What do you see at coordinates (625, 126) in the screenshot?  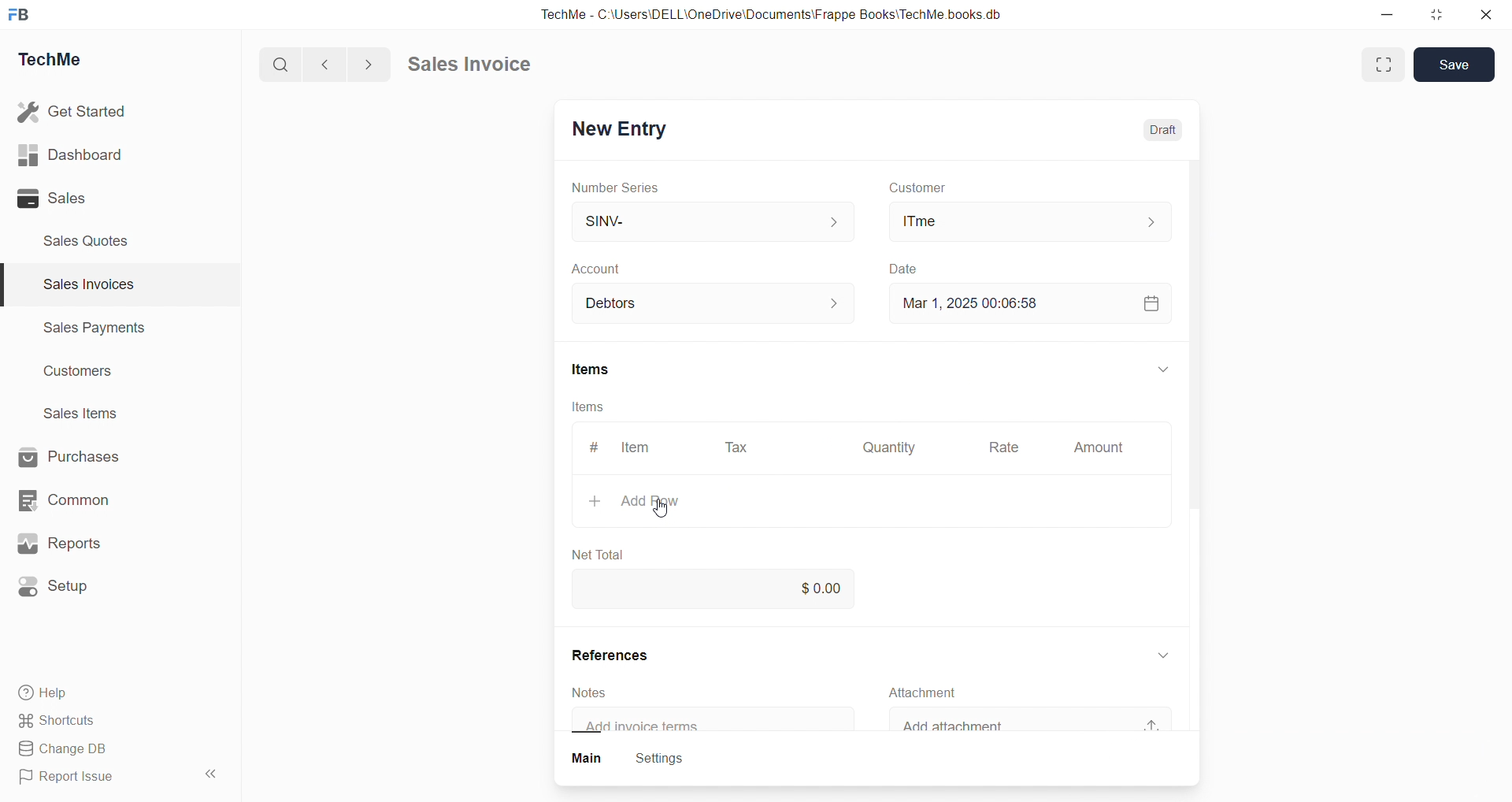 I see `New Entry` at bounding box center [625, 126].